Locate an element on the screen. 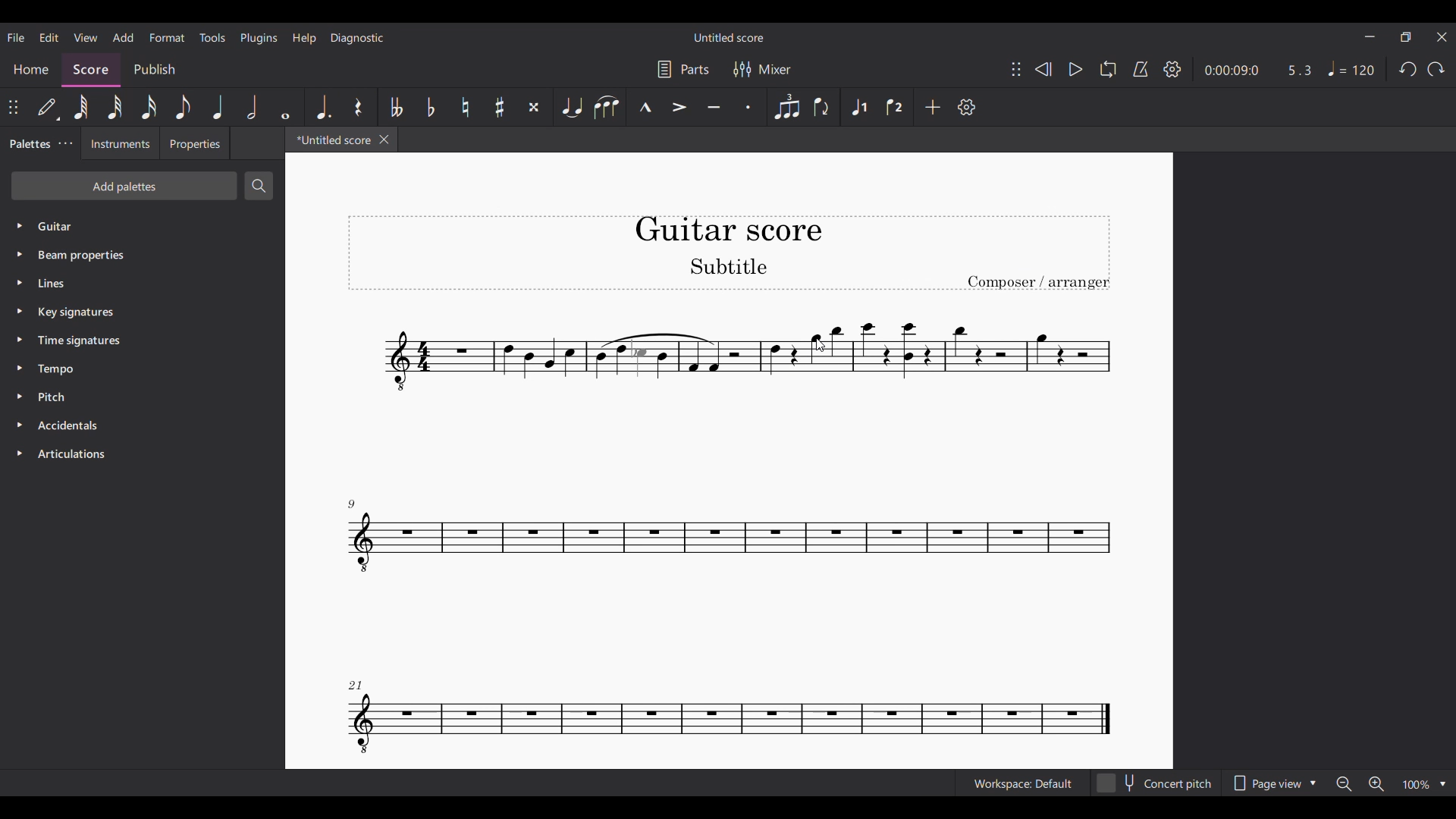 Image resolution: width=1456 pixels, height=819 pixels. Add menu is located at coordinates (123, 37).